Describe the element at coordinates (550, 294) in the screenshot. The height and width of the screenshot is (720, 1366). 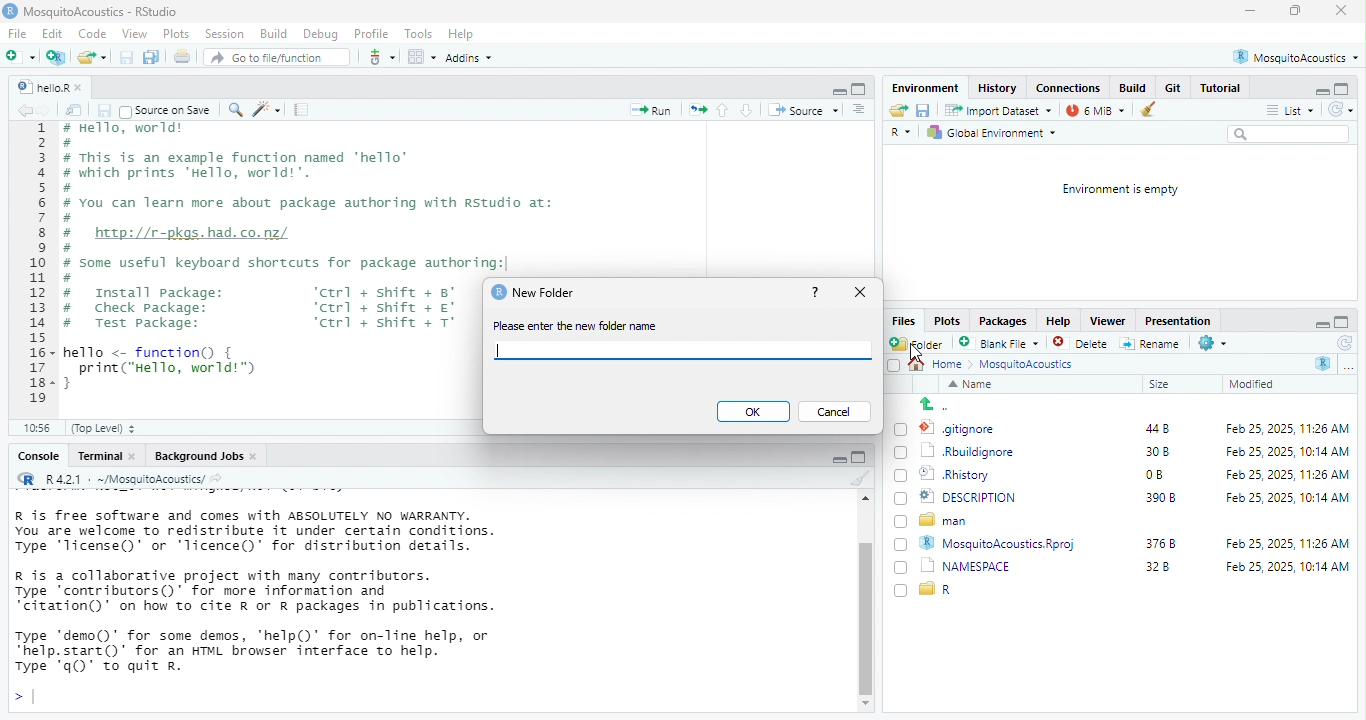
I see `New Folder` at that location.